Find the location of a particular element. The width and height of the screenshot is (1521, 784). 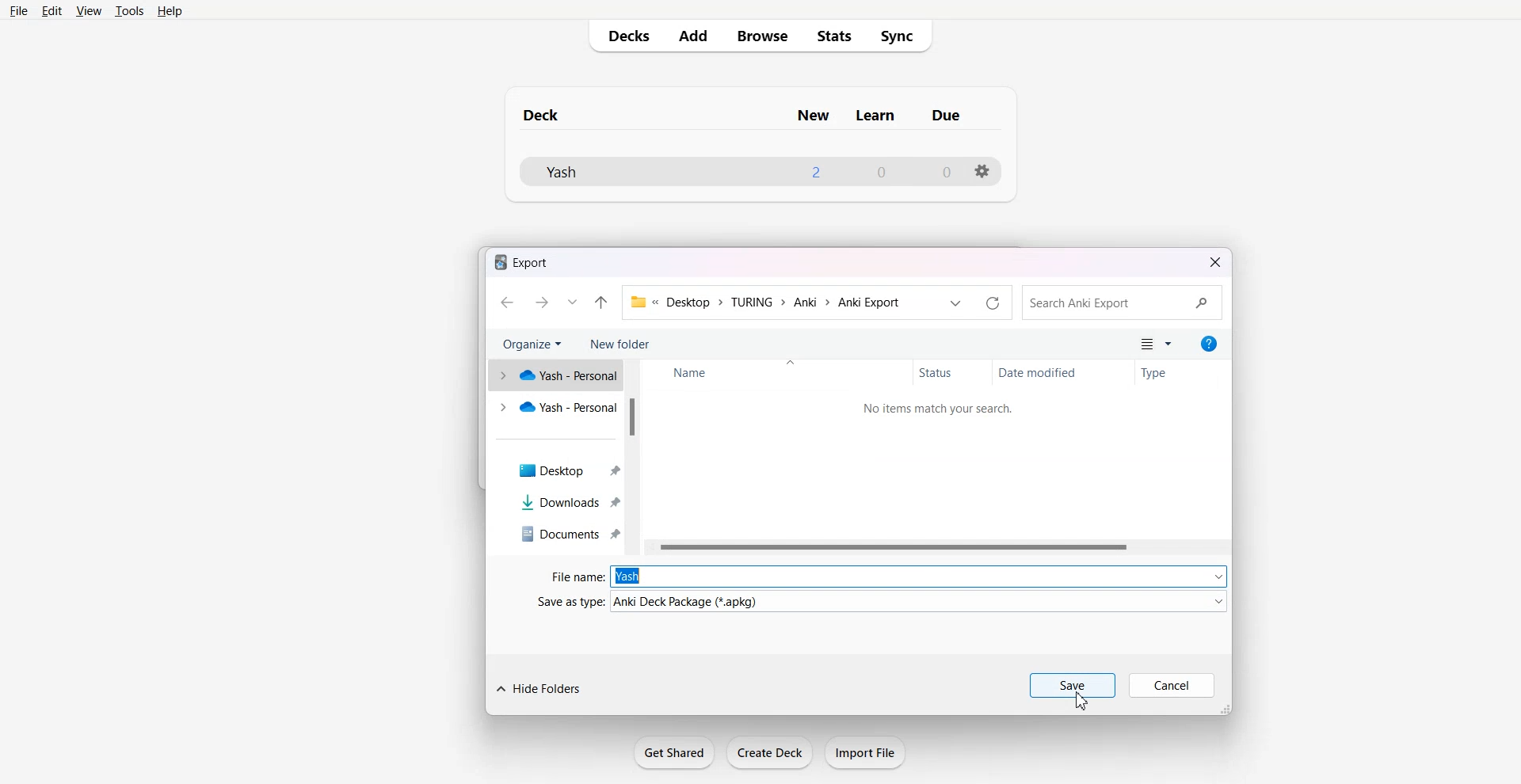

0 is located at coordinates (882, 173).